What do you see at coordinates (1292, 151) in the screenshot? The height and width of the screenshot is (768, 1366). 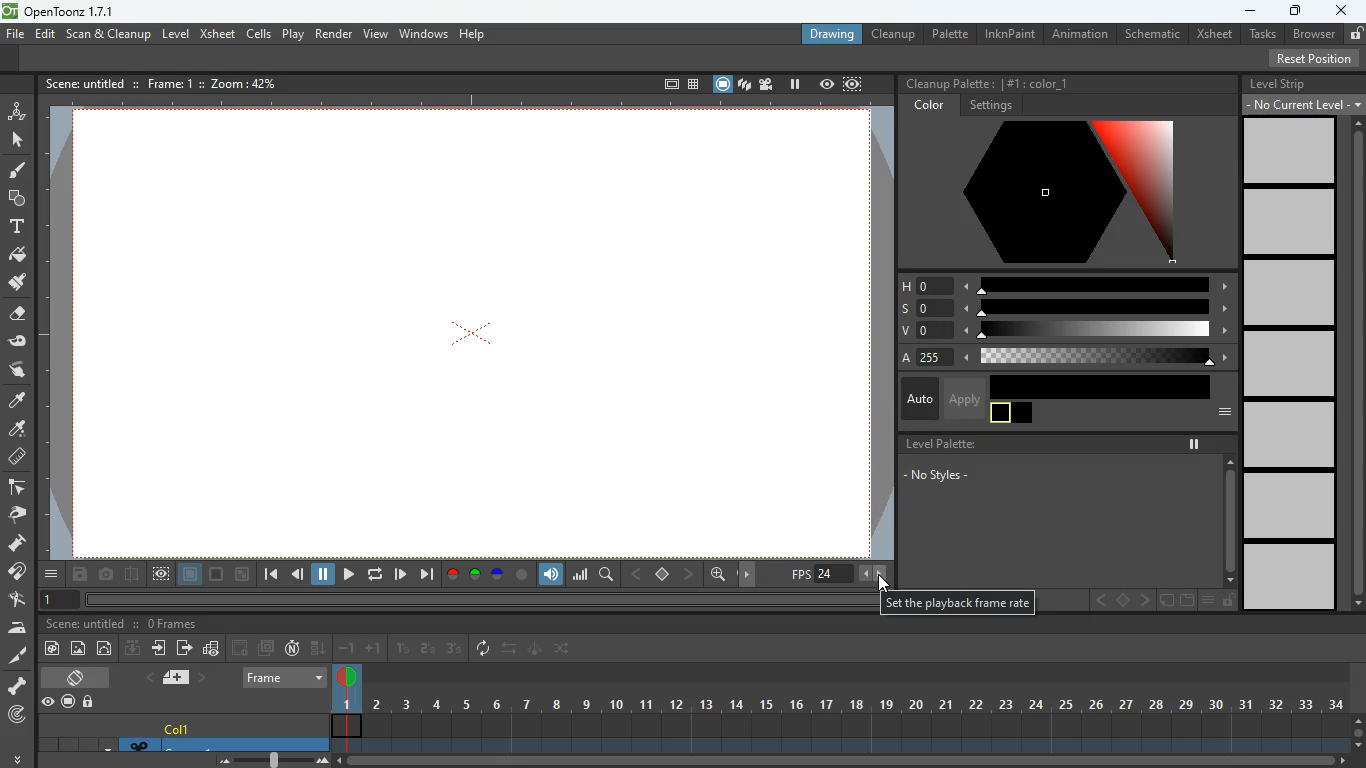 I see `level` at bounding box center [1292, 151].